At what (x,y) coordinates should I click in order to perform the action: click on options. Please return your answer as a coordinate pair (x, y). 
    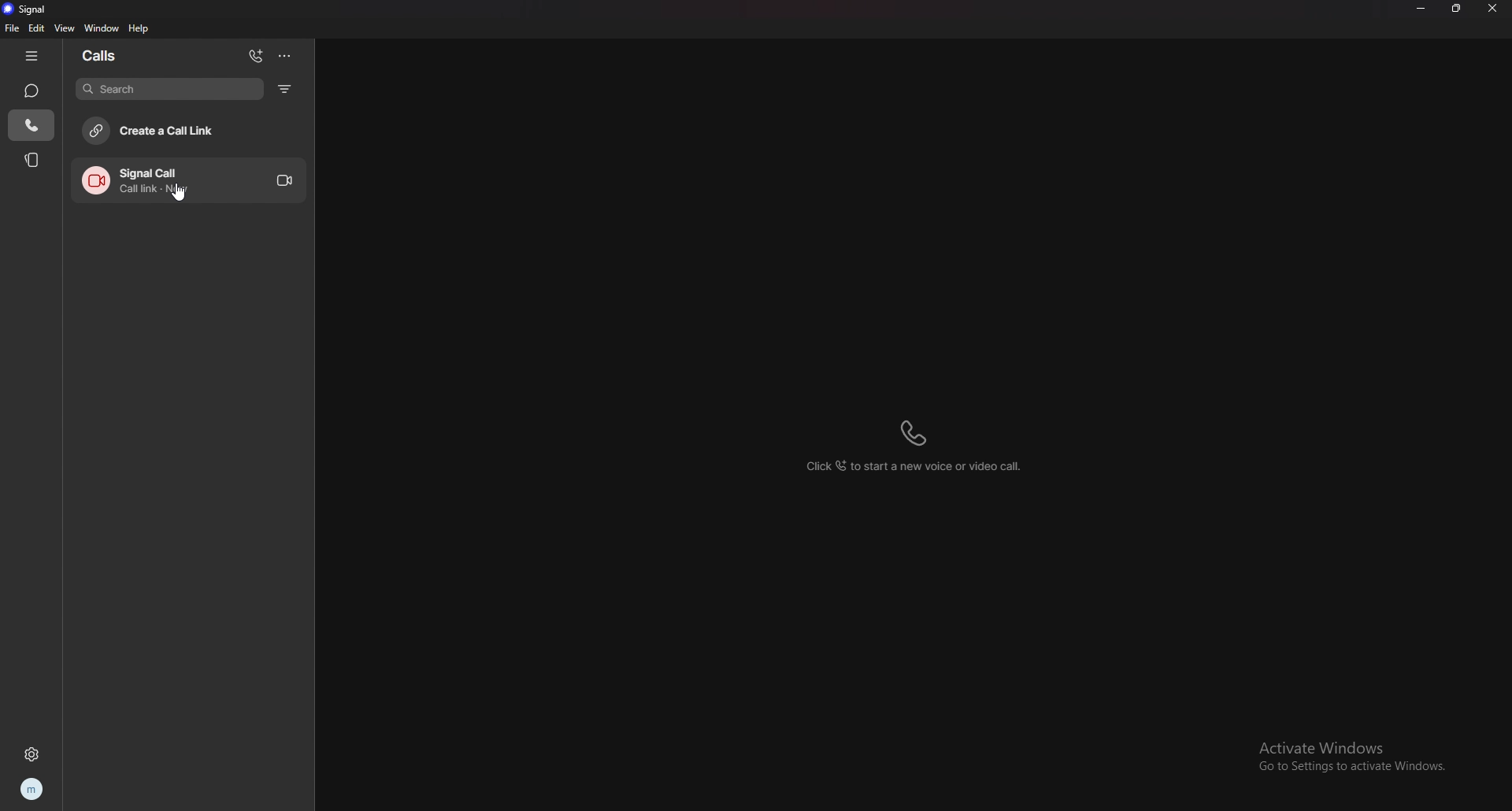
    Looking at the image, I should click on (283, 56).